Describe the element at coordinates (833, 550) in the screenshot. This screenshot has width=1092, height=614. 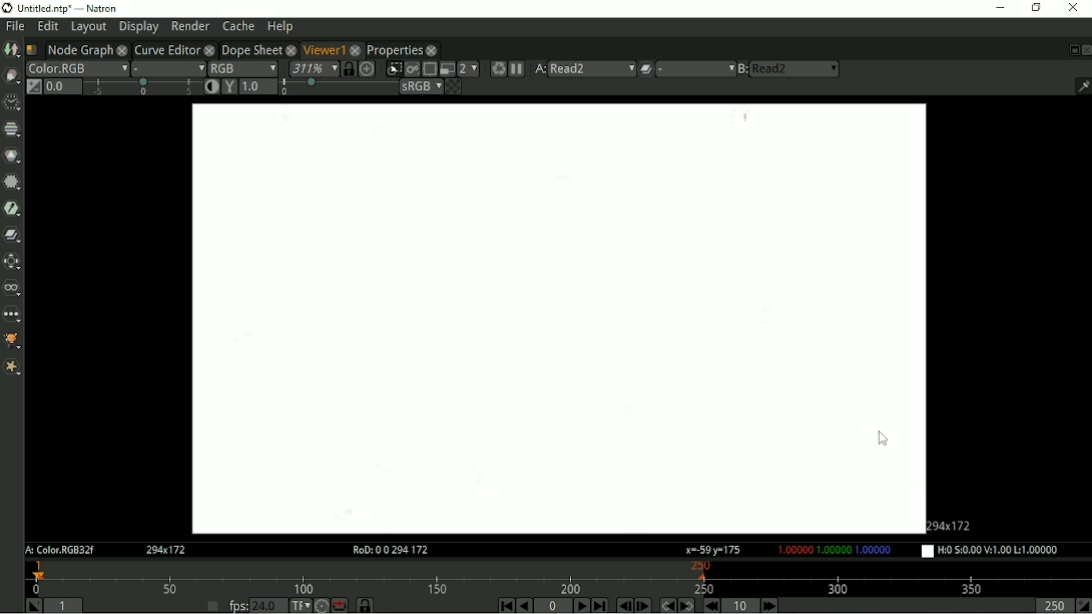
I see `1.00000` at that location.